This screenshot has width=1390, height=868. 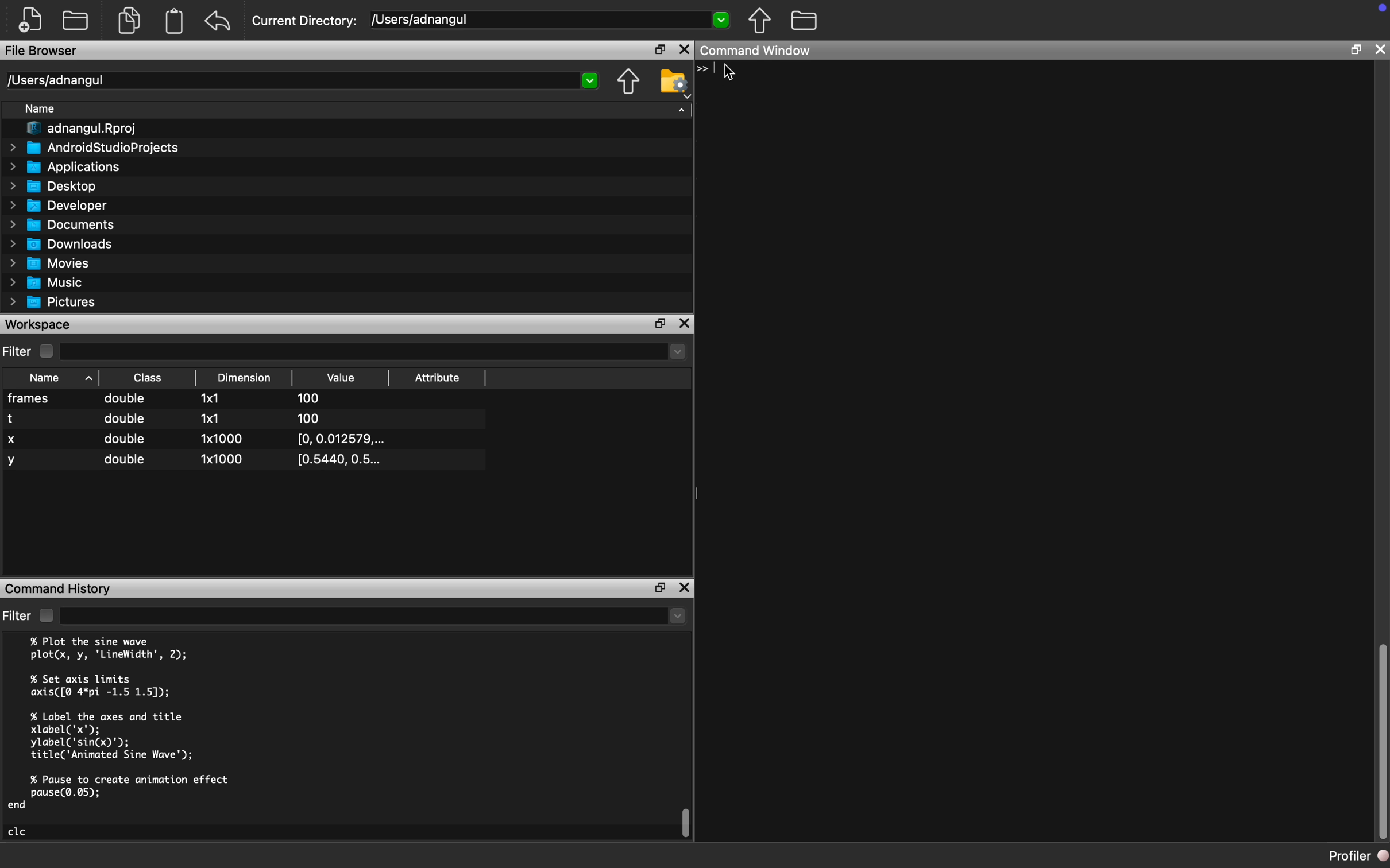 I want to click on Clipboard, so click(x=175, y=21).